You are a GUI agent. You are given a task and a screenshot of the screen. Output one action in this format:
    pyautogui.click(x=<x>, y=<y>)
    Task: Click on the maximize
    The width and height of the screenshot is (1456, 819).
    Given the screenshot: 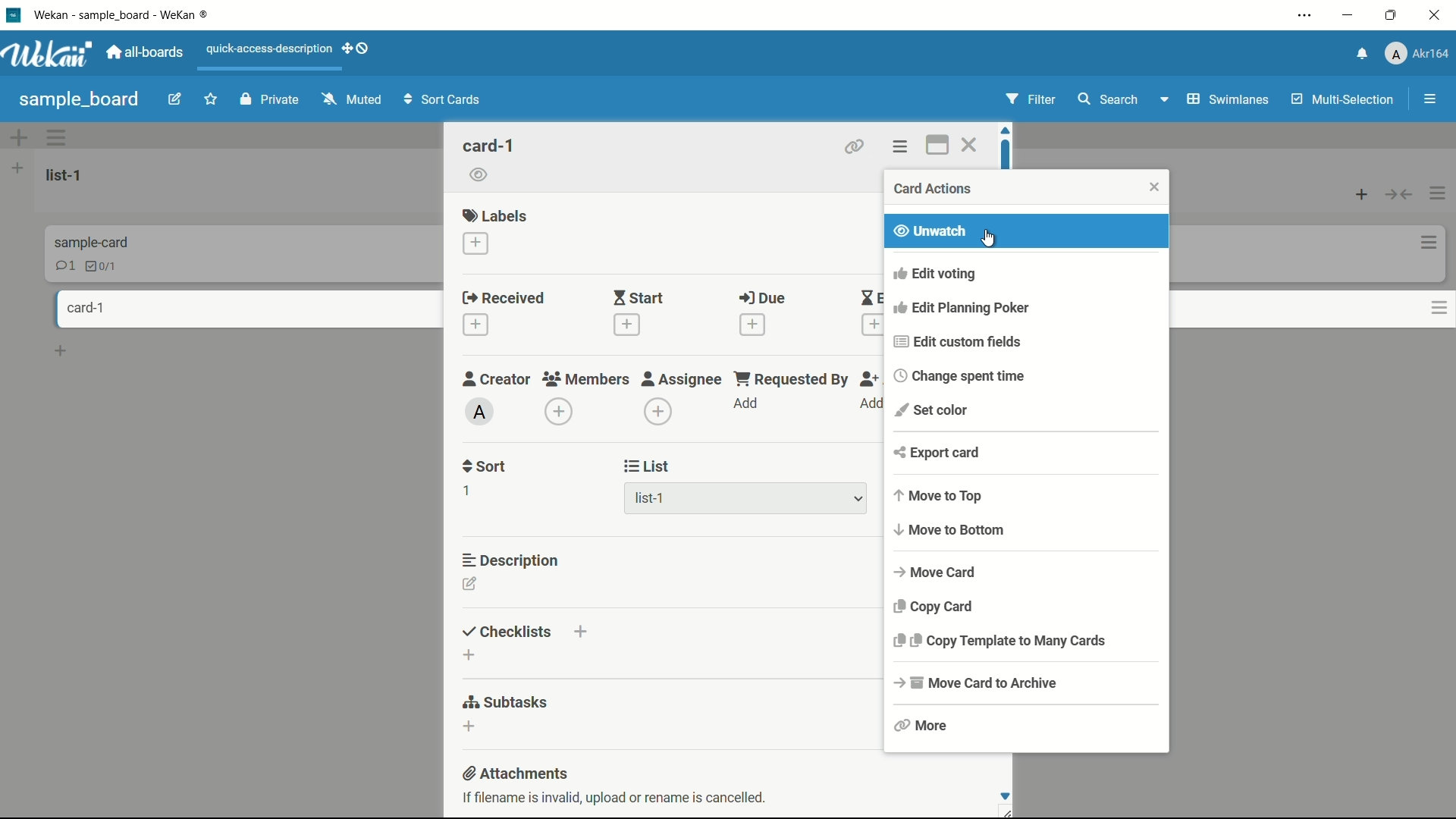 What is the action you would take?
    pyautogui.click(x=1389, y=16)
    